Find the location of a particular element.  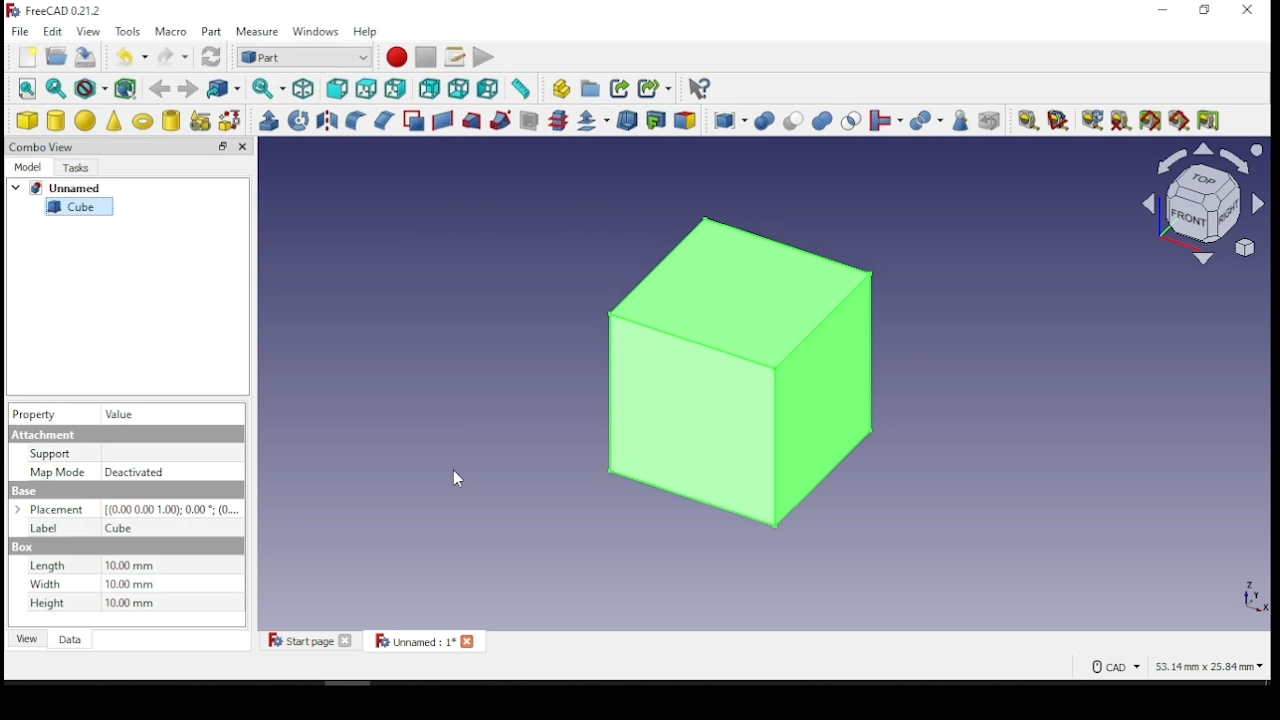

color per face is located at coordinates (688, 120).